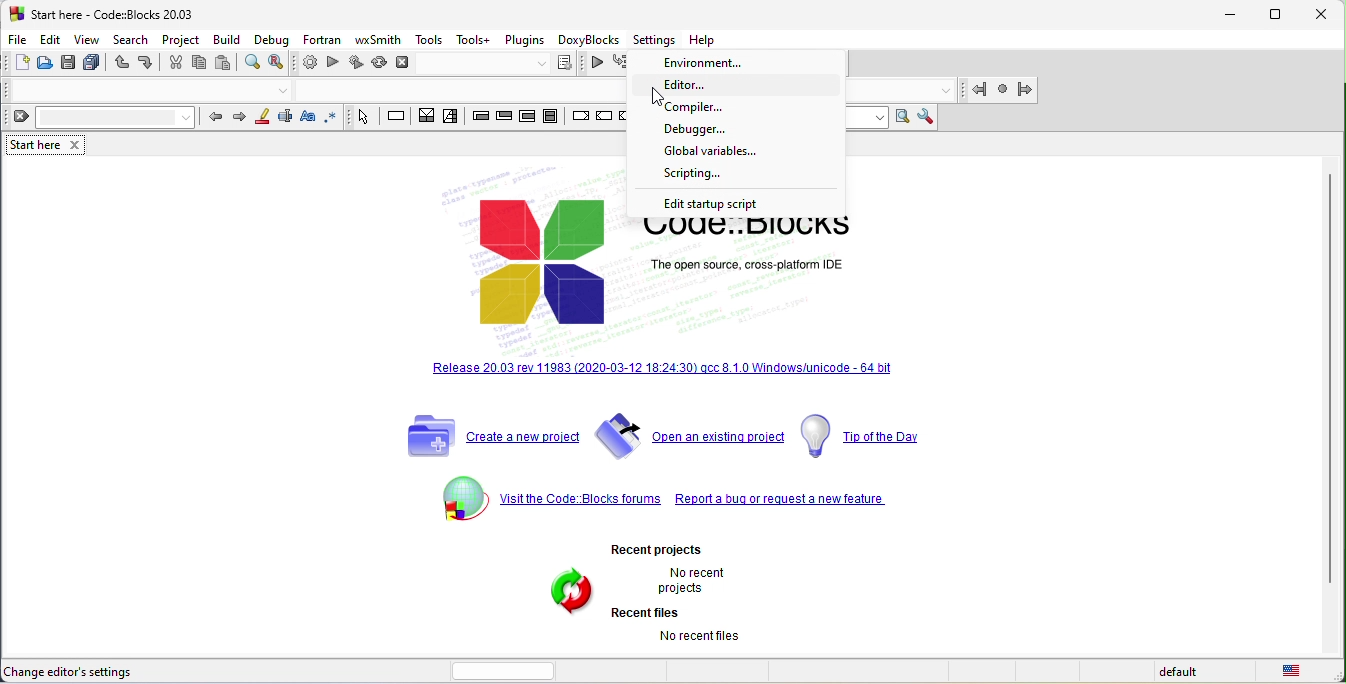 The height and width of the screenshot is (684, 1346). Describe the element at coordinates (218, 117) in the screenshot. I see `prev` at that location.